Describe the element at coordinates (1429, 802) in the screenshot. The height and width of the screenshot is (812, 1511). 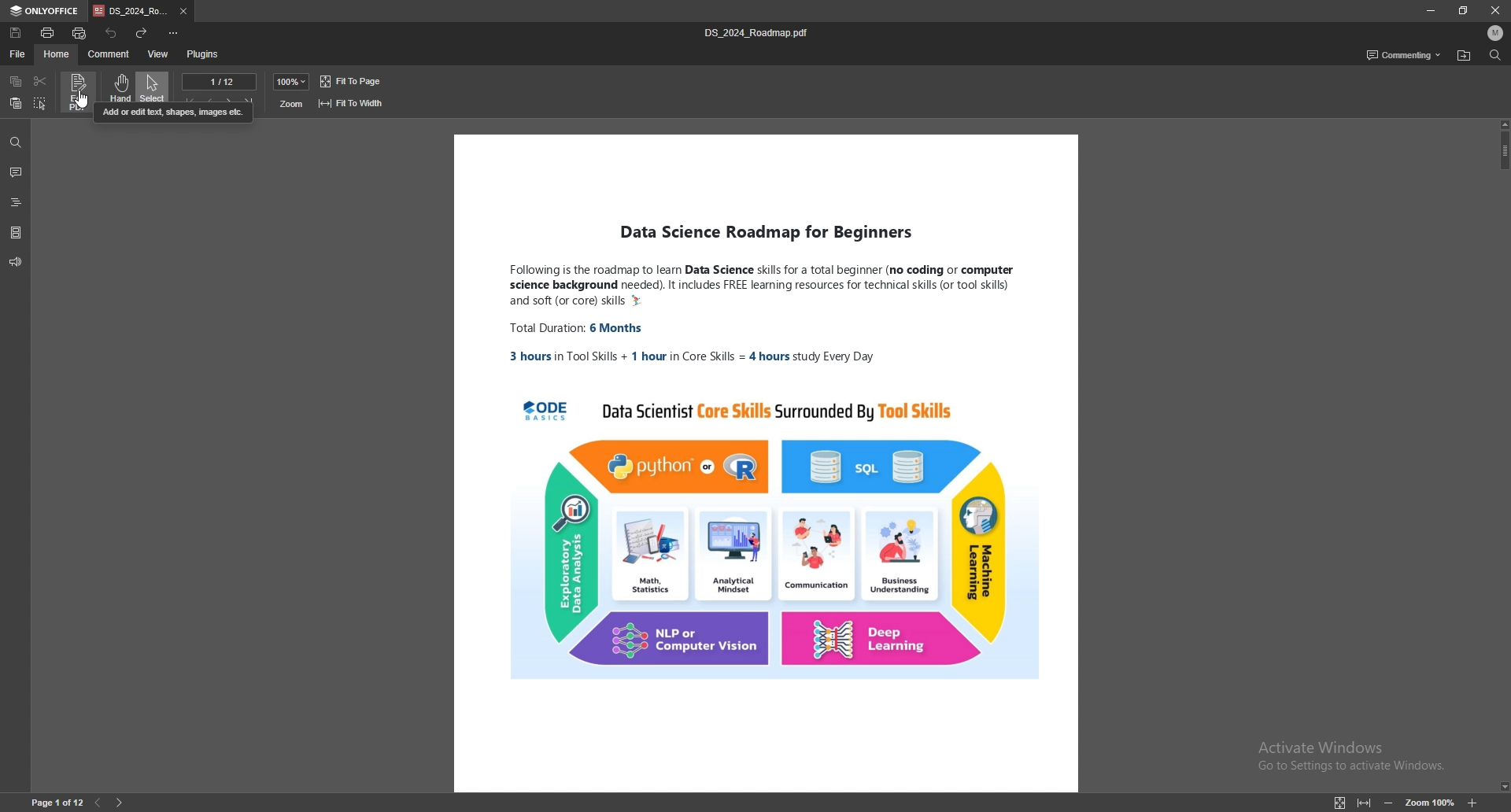
I see `zoom` at that location.